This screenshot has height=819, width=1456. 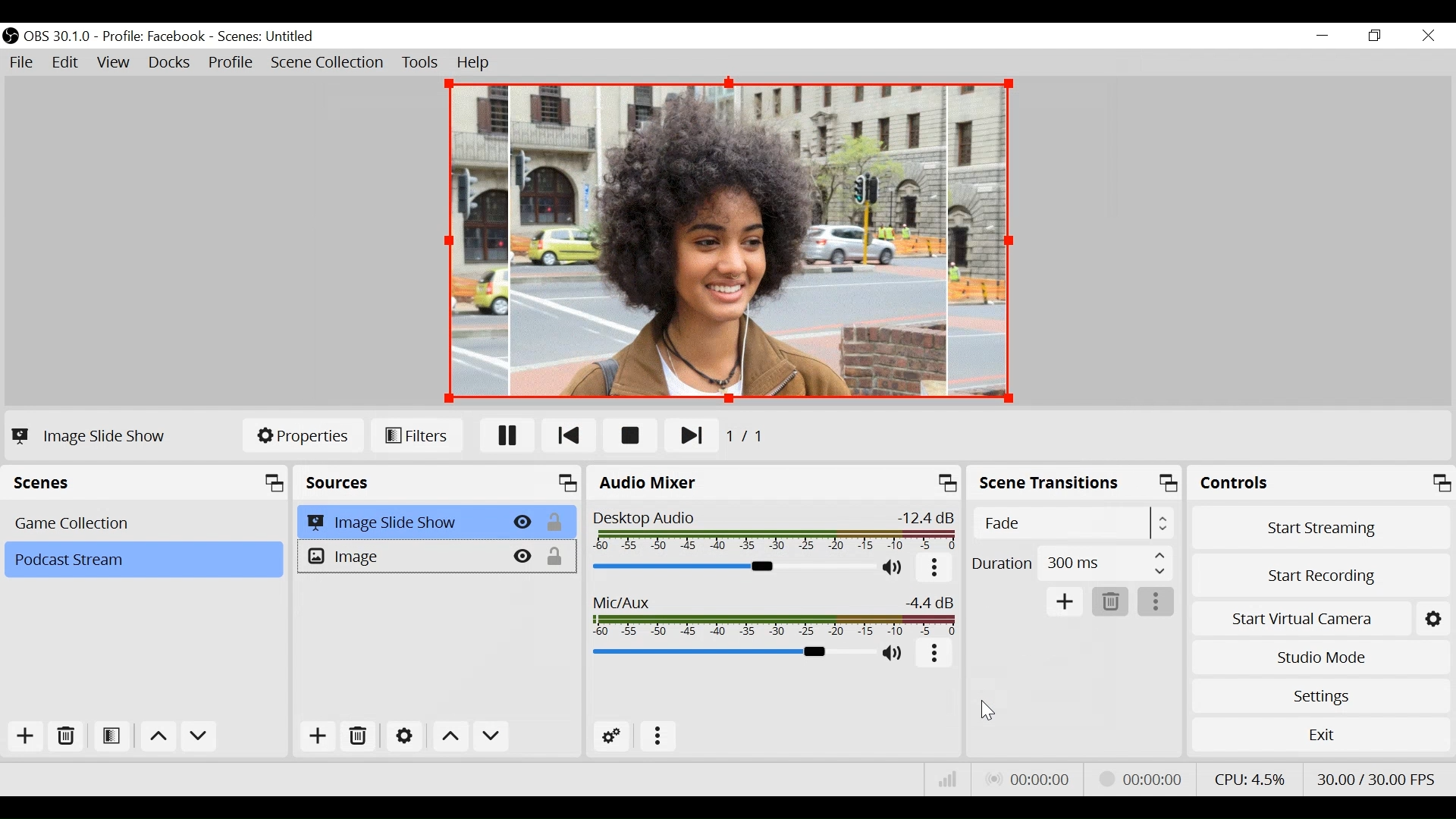 I want to click on More options, so click(x=659, y=737).